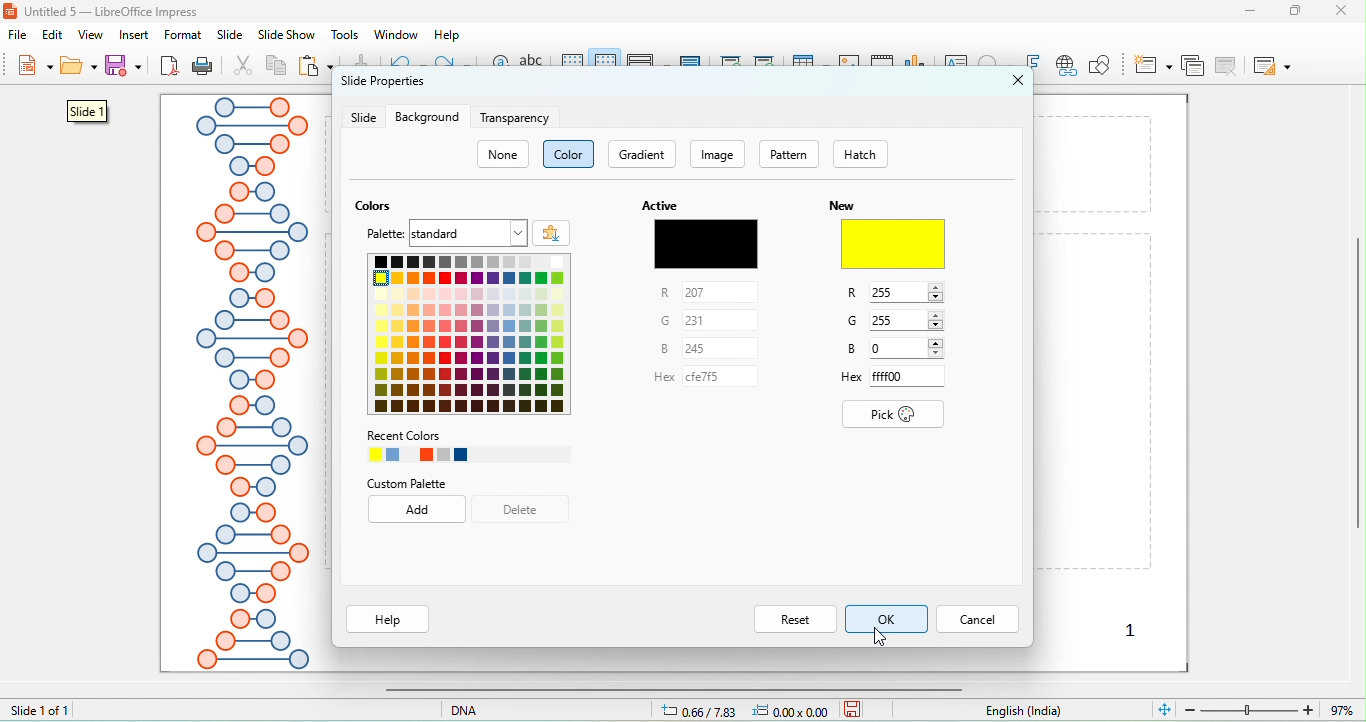 This screenshot has width=1366, height=722. I want to click on G, so click(897, 320).